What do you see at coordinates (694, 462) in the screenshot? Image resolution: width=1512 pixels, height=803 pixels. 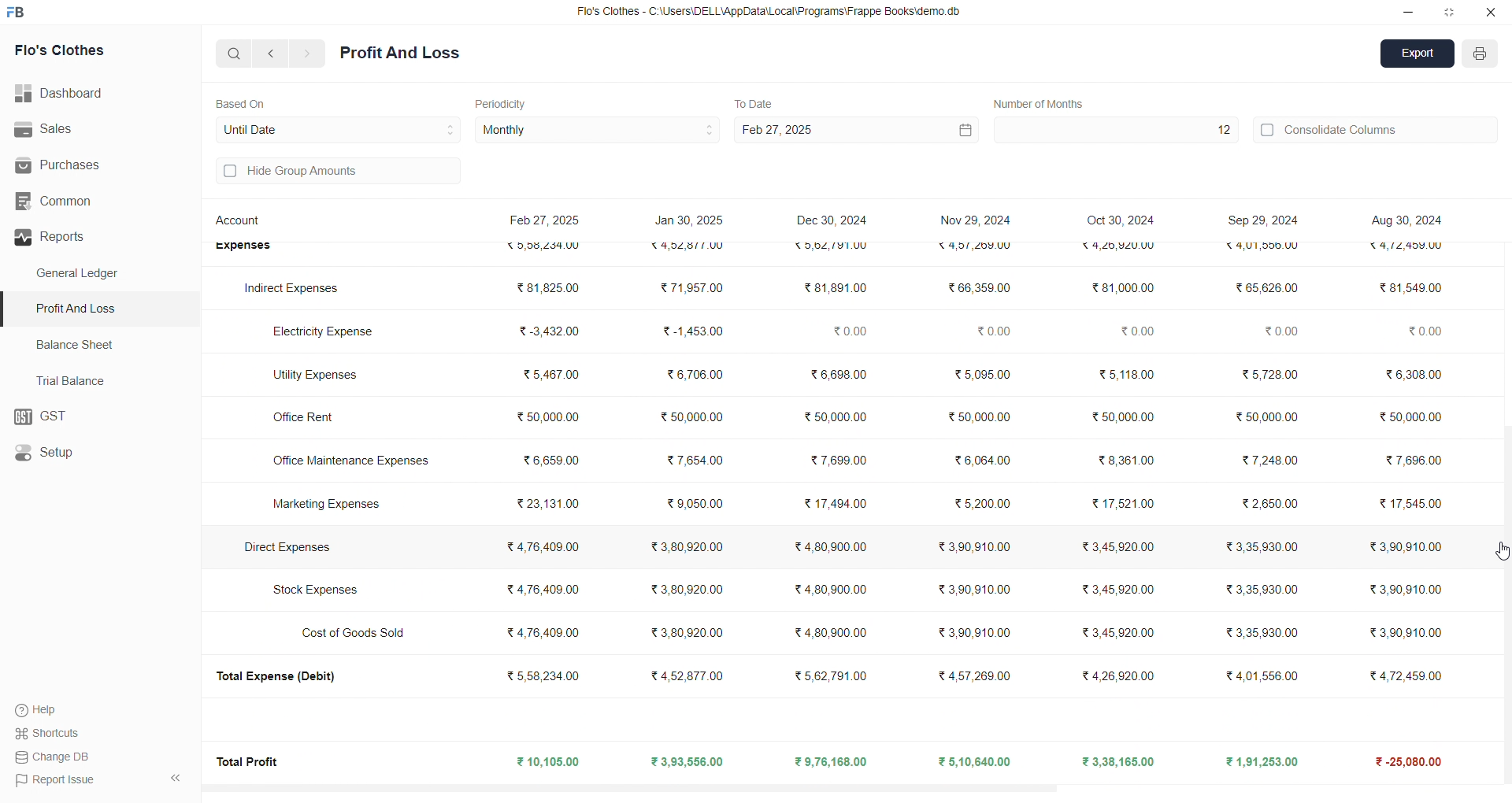 I see `₹ 7,654.00` at bounding box center [694, 462].